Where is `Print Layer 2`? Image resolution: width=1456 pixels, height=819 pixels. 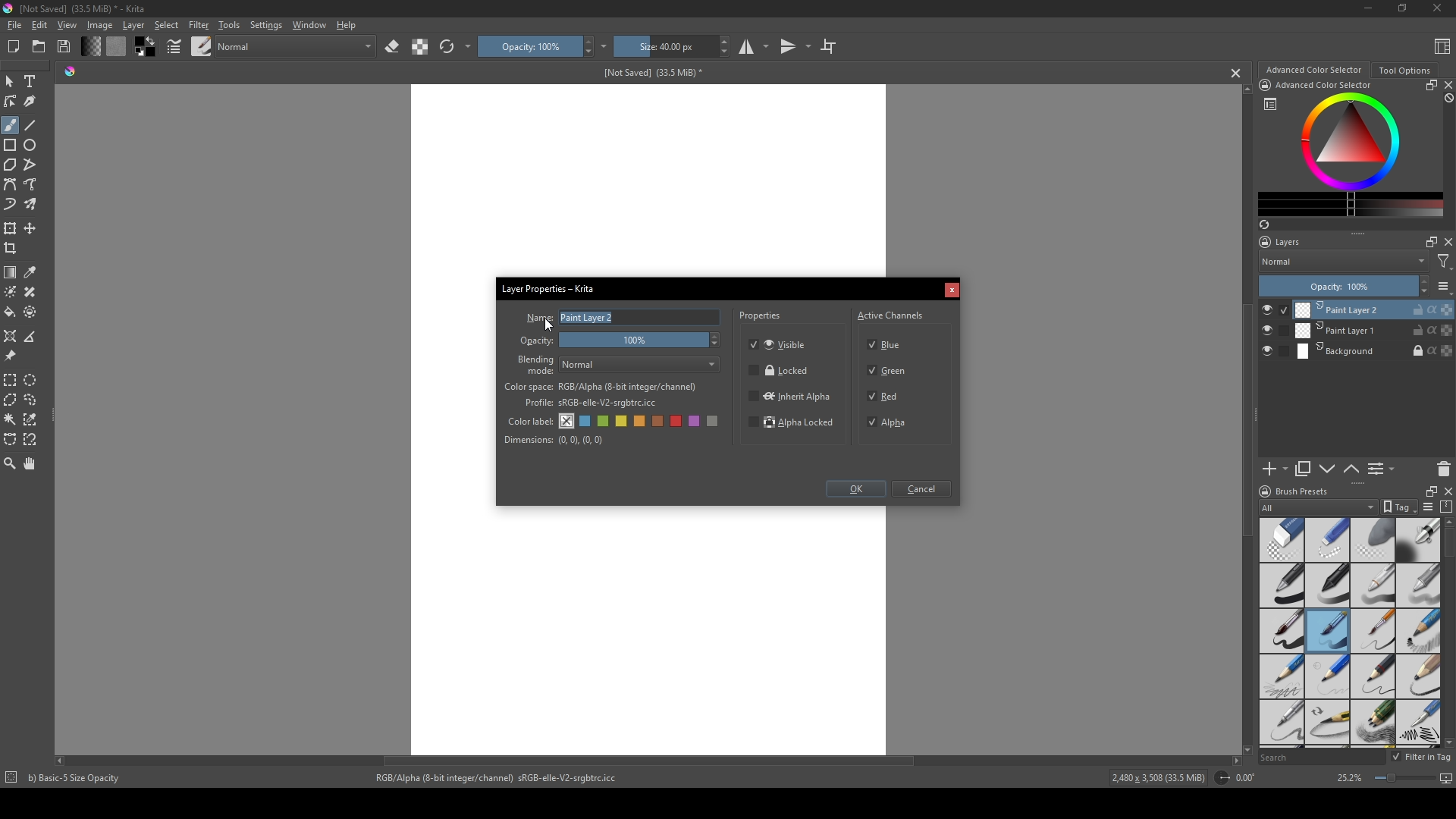 Print Layer 2 is located at coordinates (1373, 309).